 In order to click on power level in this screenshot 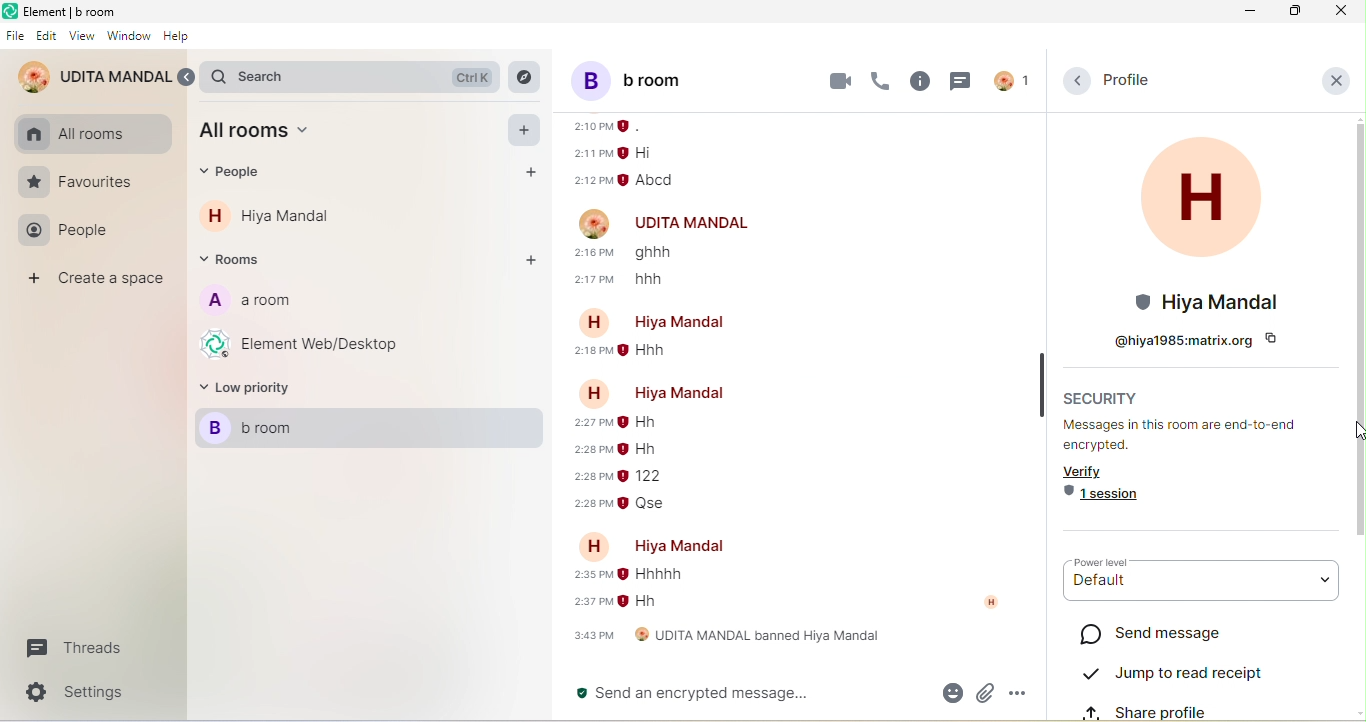, I will do `click(1110, 562)`.